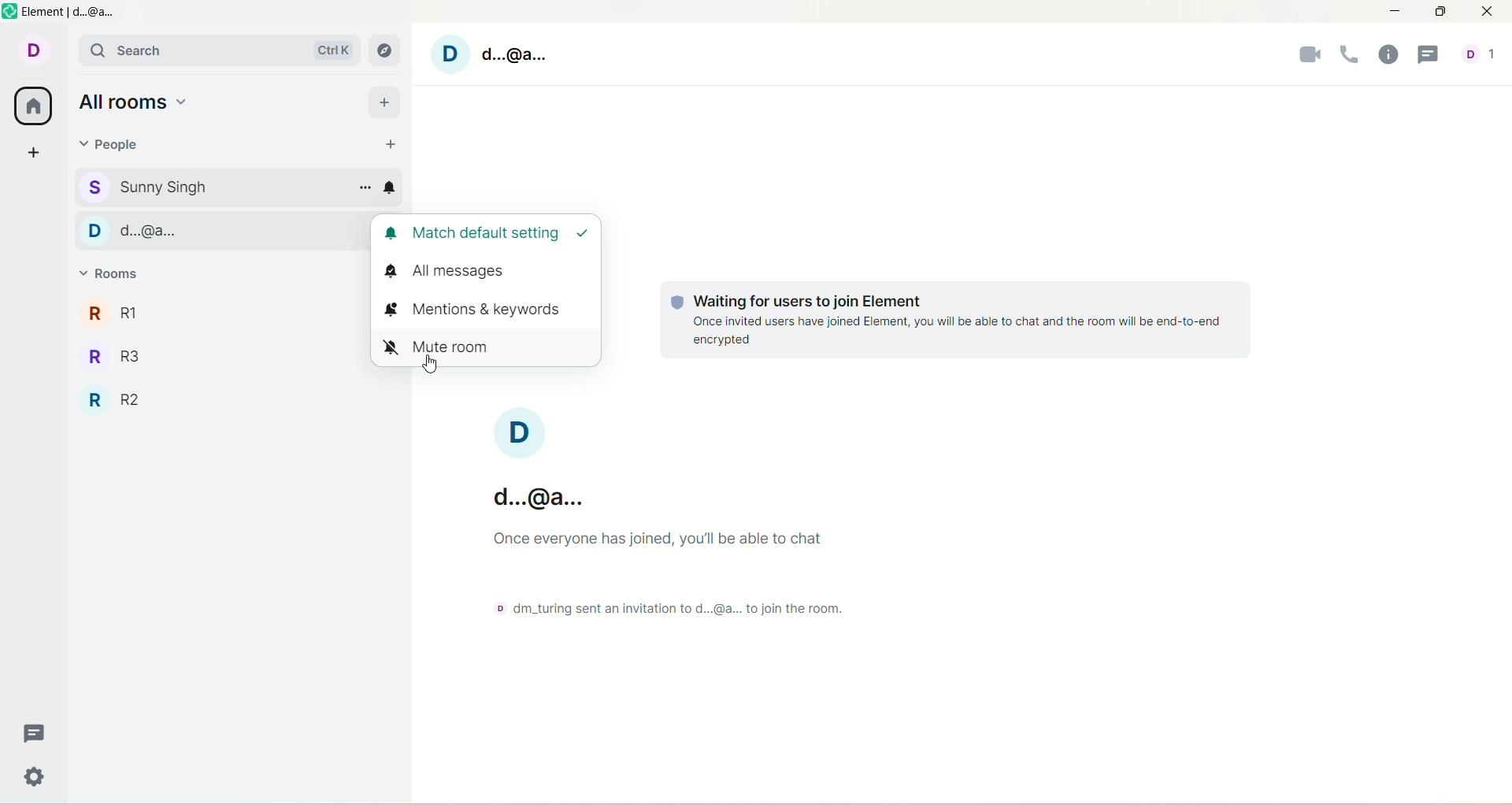 This screenshot has height=805, width=1512. What do you see at coordinates (36, 732) in the screenshot?
I see `threads` at bounding box center [36, 732].